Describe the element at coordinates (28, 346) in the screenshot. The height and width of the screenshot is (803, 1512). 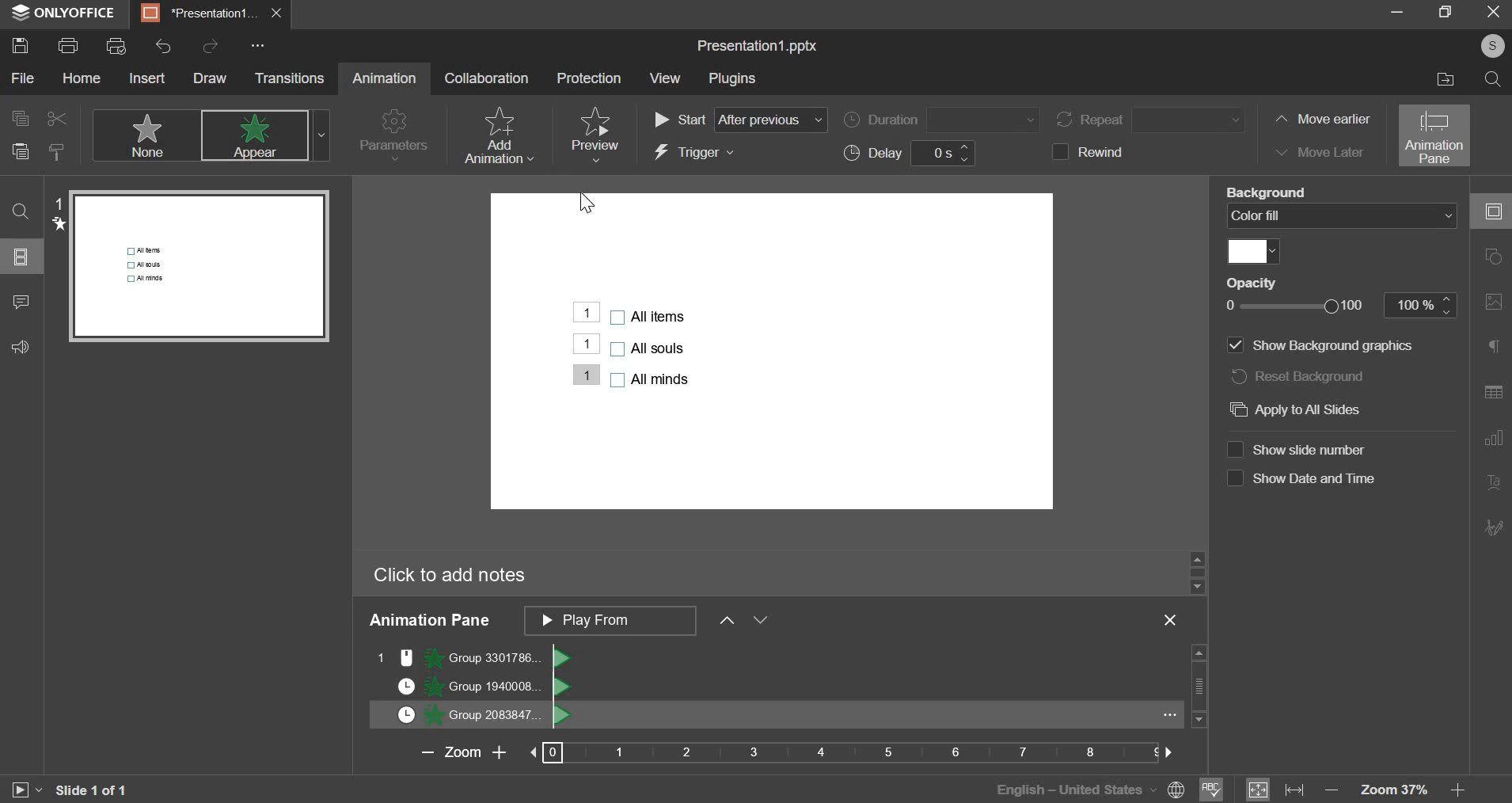
I see `feedback` at that location.